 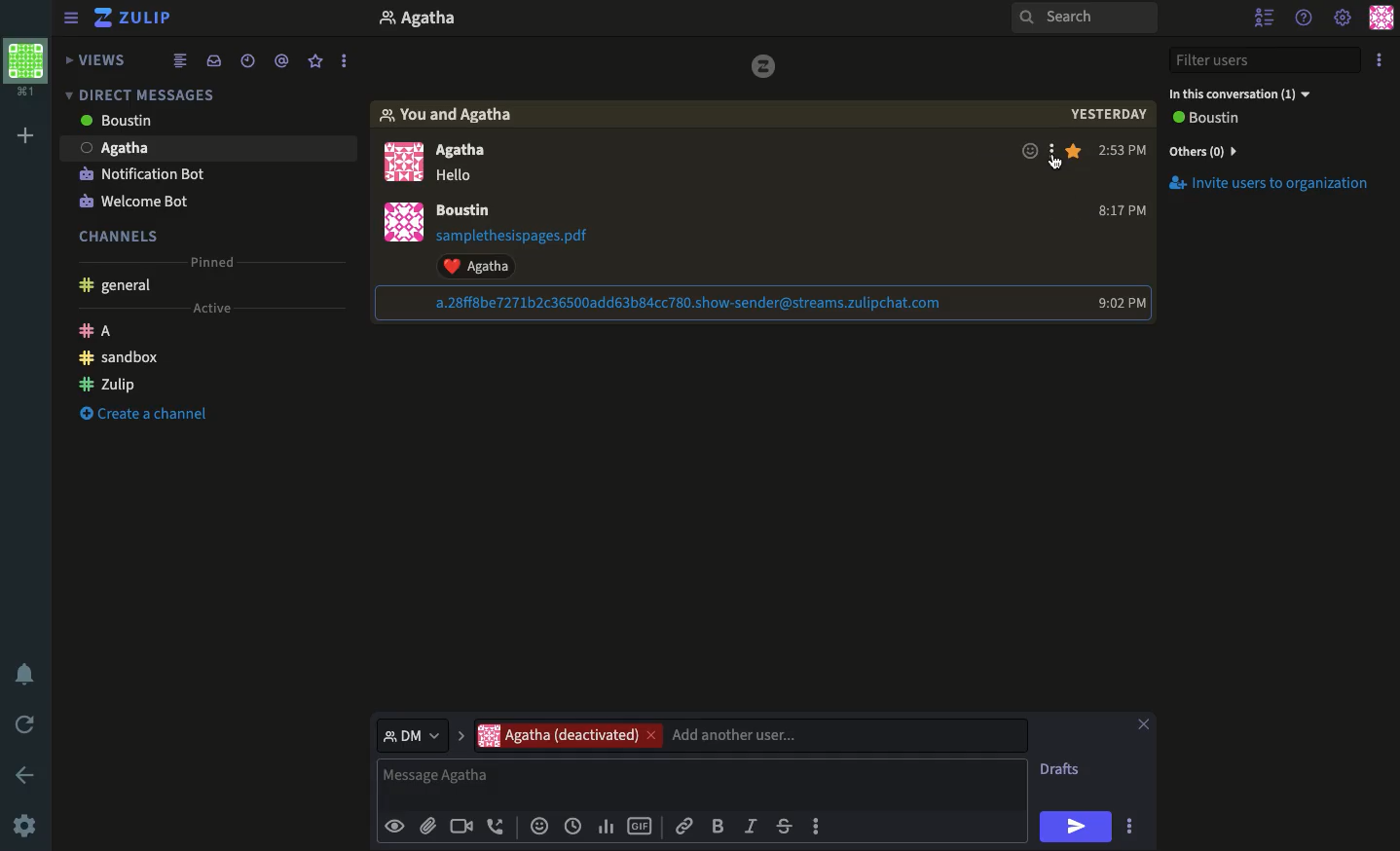 I want to click on Profile, so click(x=409, y=199).